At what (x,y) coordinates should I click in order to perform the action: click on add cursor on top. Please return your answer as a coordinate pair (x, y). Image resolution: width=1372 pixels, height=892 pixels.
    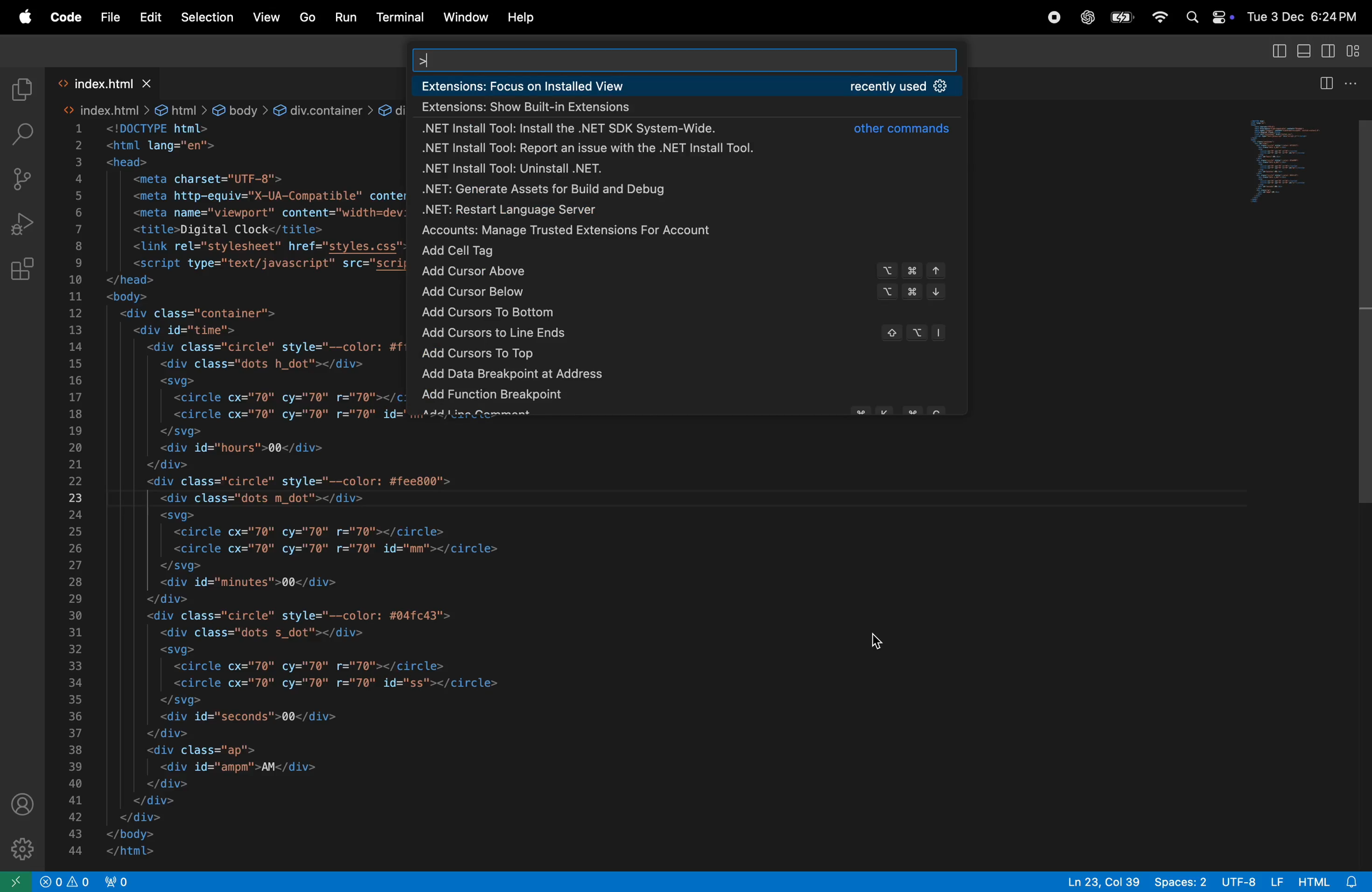
    Looking at the image, I should click on (685, 356).